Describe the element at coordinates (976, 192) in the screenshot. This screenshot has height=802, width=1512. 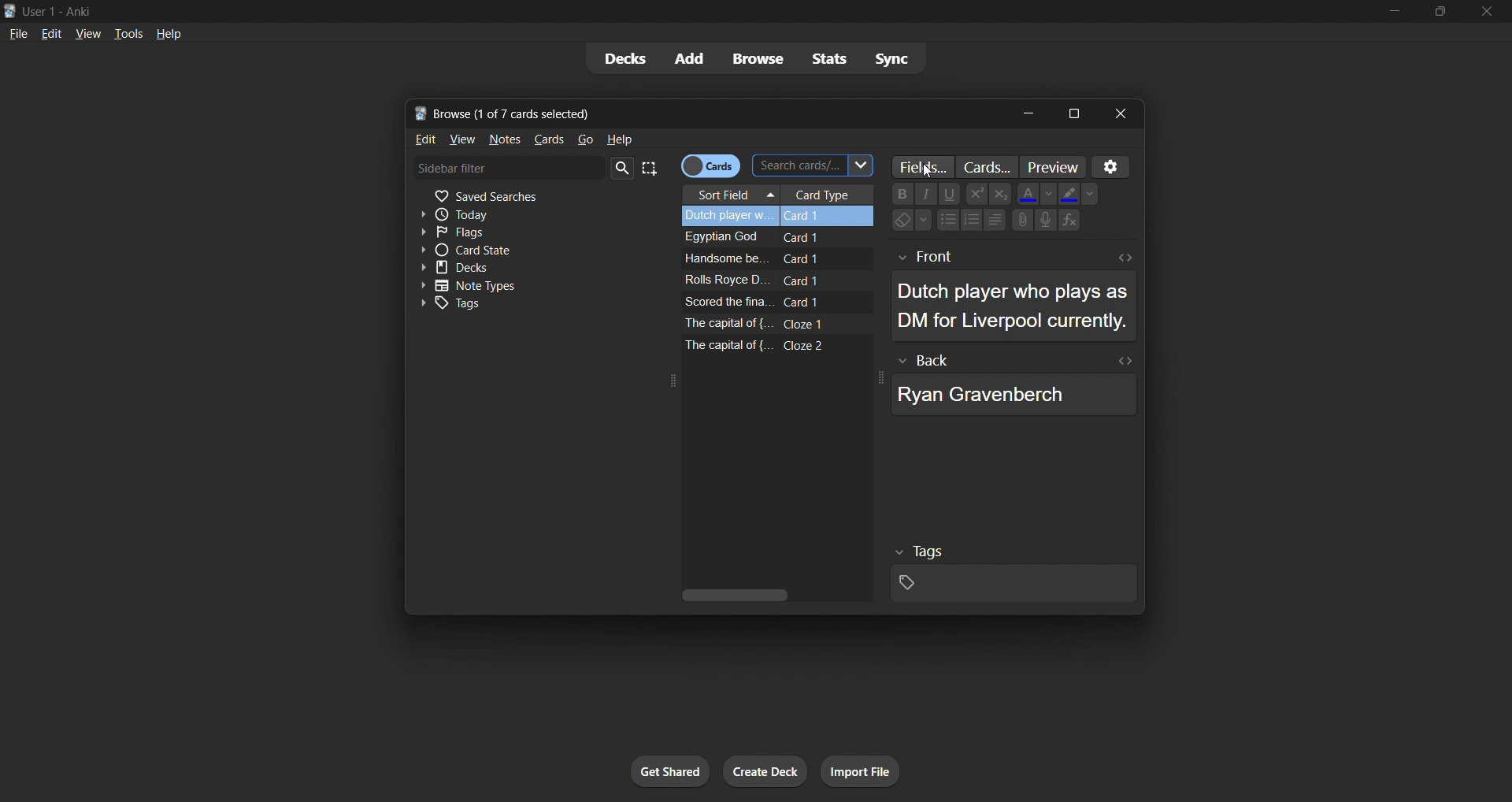
I see `Power` at that location.